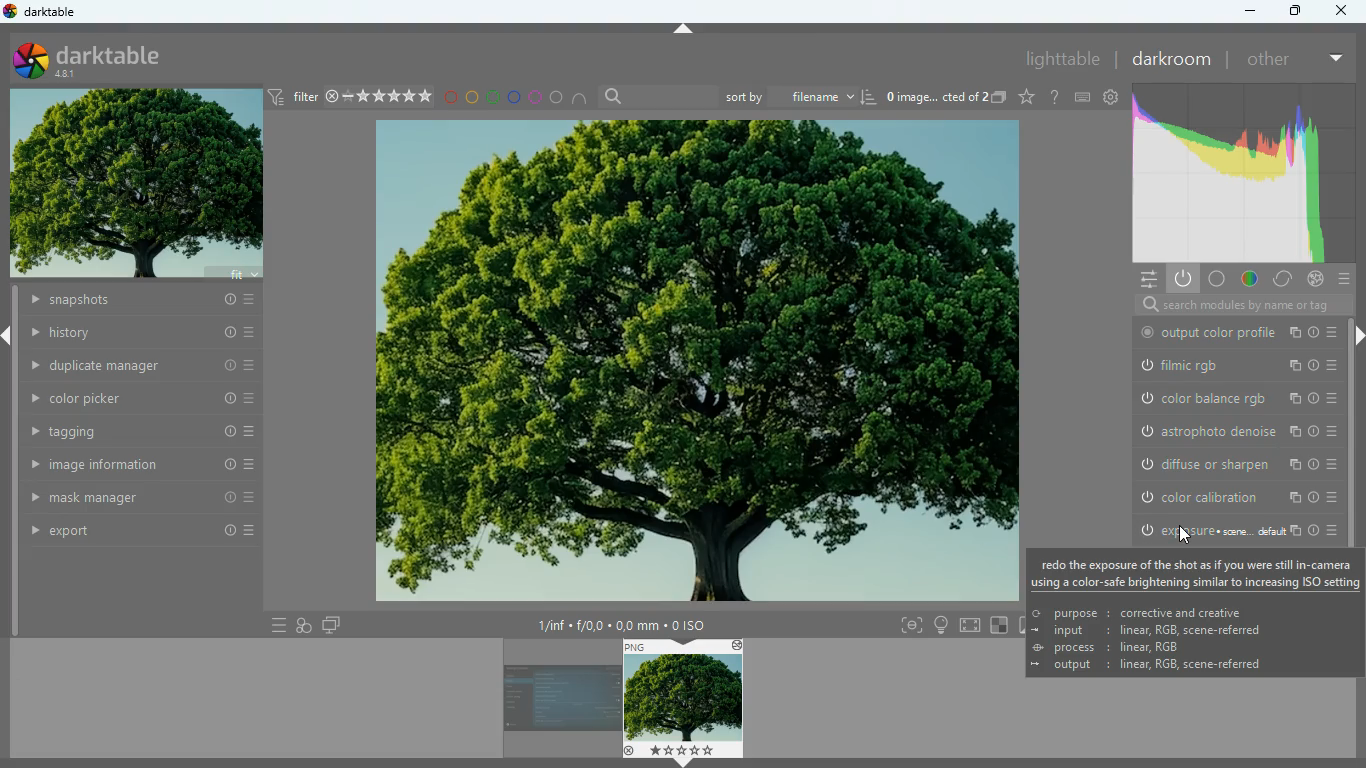 This screenshot has width=1366, height=768. I want to click on export, so click(136, 531).